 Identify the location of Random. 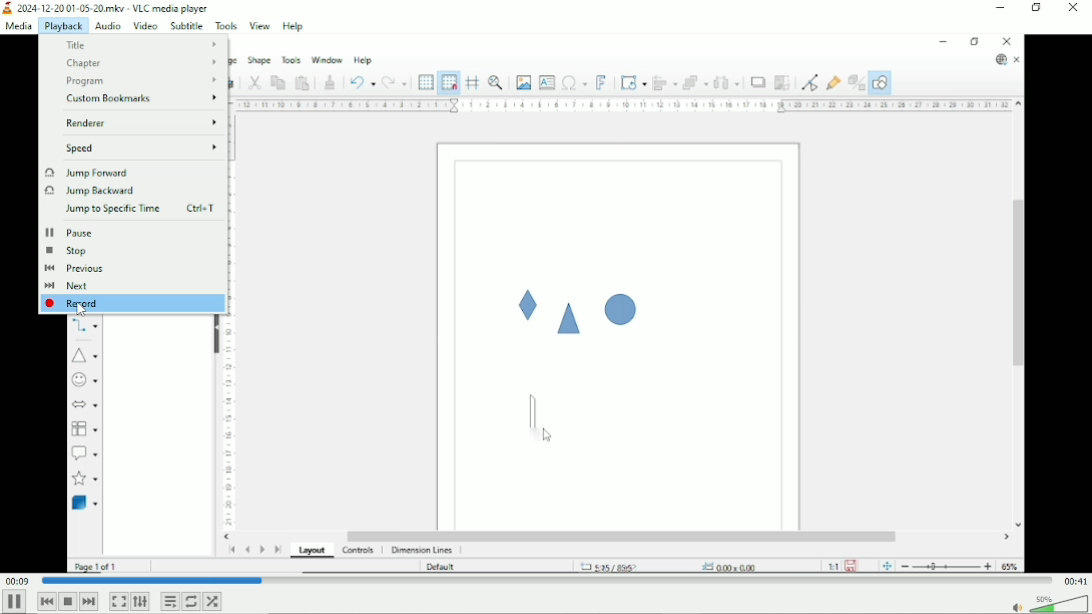
(212, 601).